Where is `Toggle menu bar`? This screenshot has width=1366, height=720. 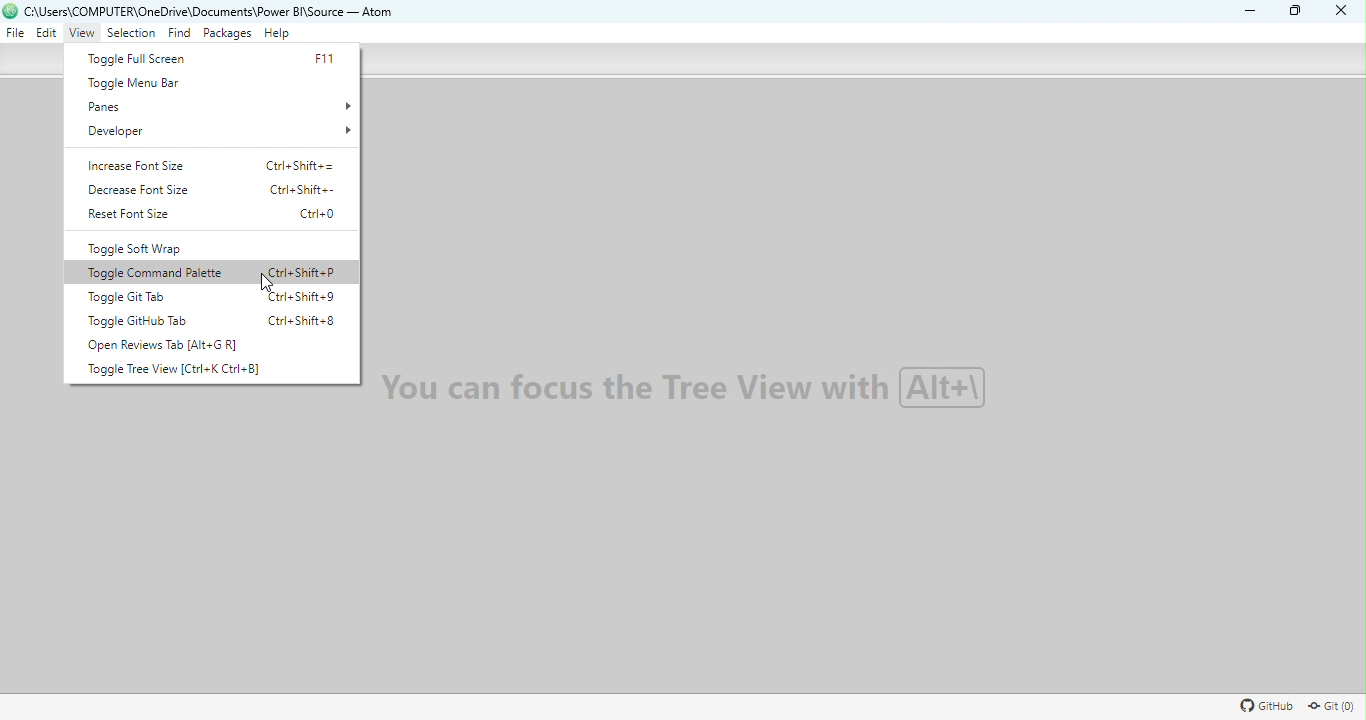
Toggle menu bar is located at coordinates (197, 83).